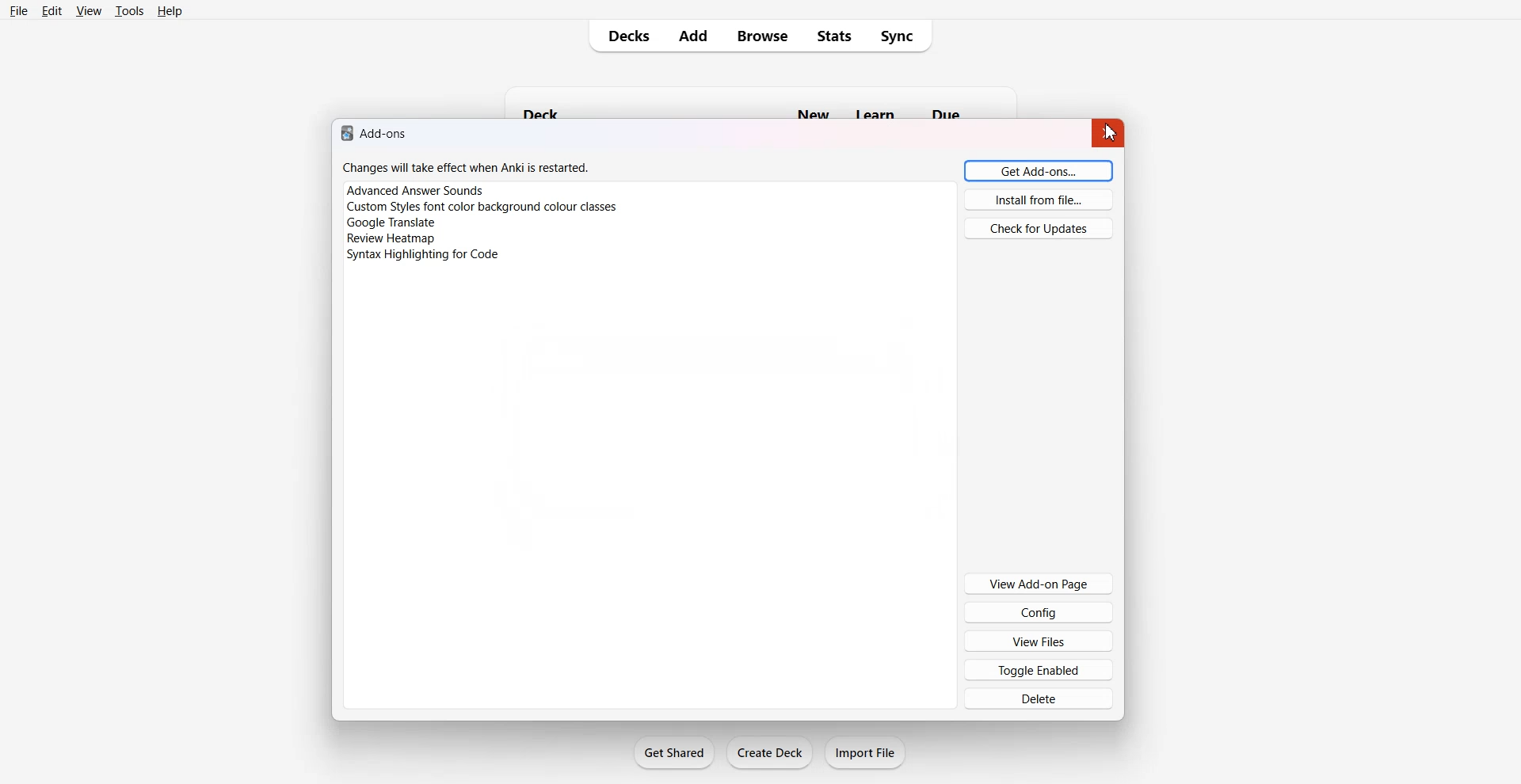 Image resolution: width=1521 pixels, height=784 pixels. What do you see at coordinates (674, 752) in the screenshot?
I see `Get Shared` at bounding box center [674, 752].